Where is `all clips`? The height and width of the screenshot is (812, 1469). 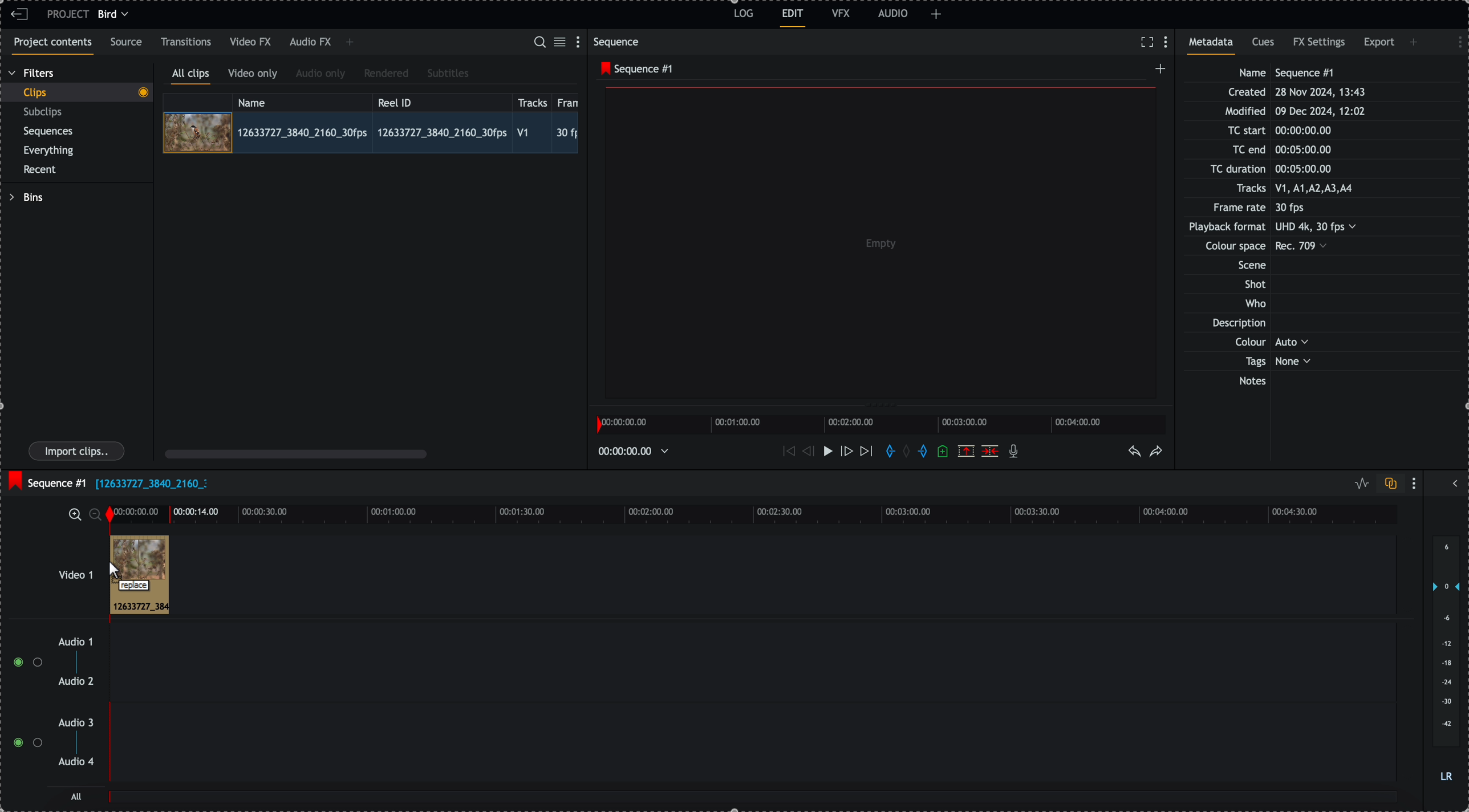 all clips is located at coordinates (191, 76).